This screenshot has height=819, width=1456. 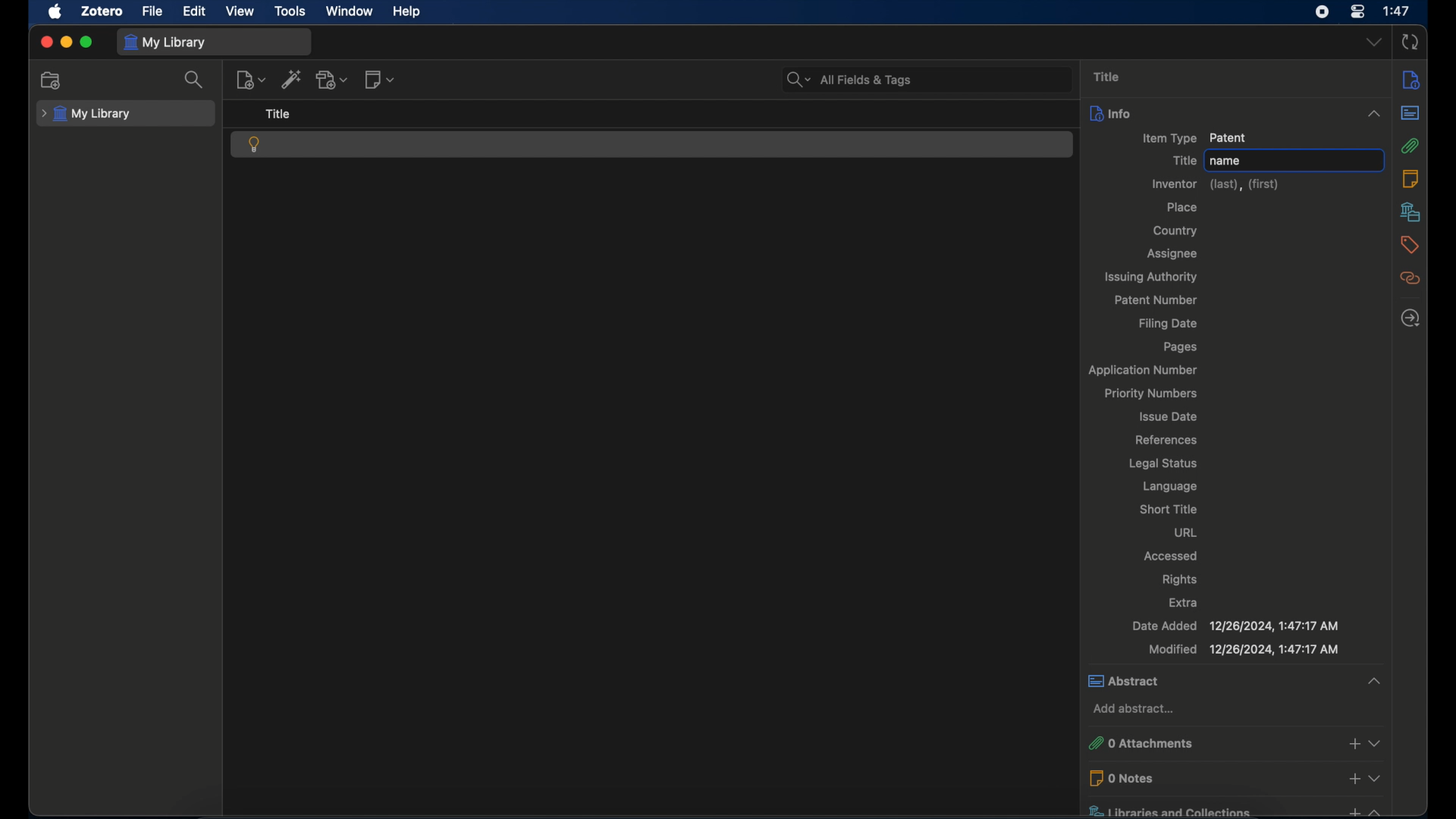 What do you see at coordinates (1410, 80) in the screenshot?
I see `info` at bounding box center [1410, 80].